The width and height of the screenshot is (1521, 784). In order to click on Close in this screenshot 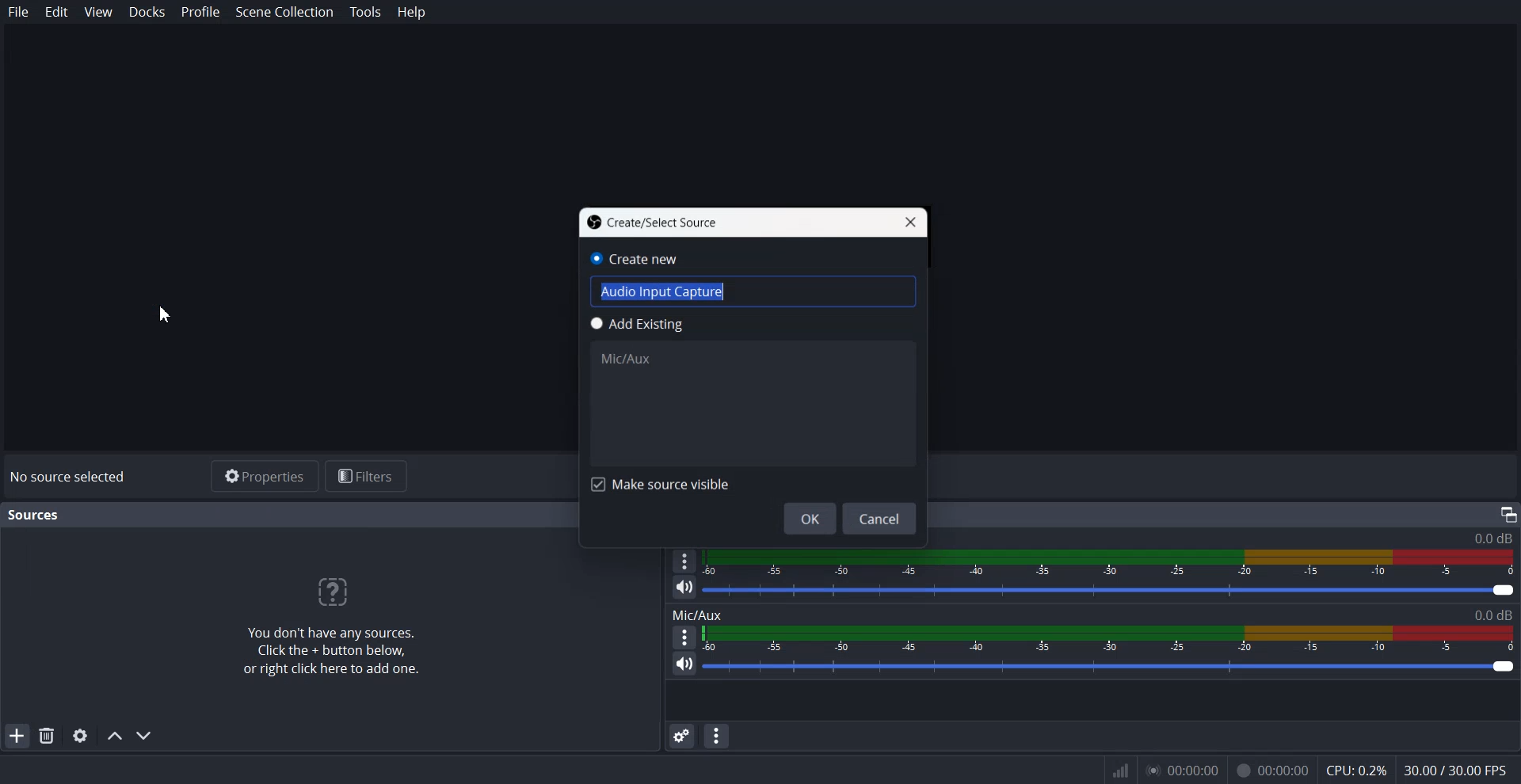, I will do `click(909, 223)`.